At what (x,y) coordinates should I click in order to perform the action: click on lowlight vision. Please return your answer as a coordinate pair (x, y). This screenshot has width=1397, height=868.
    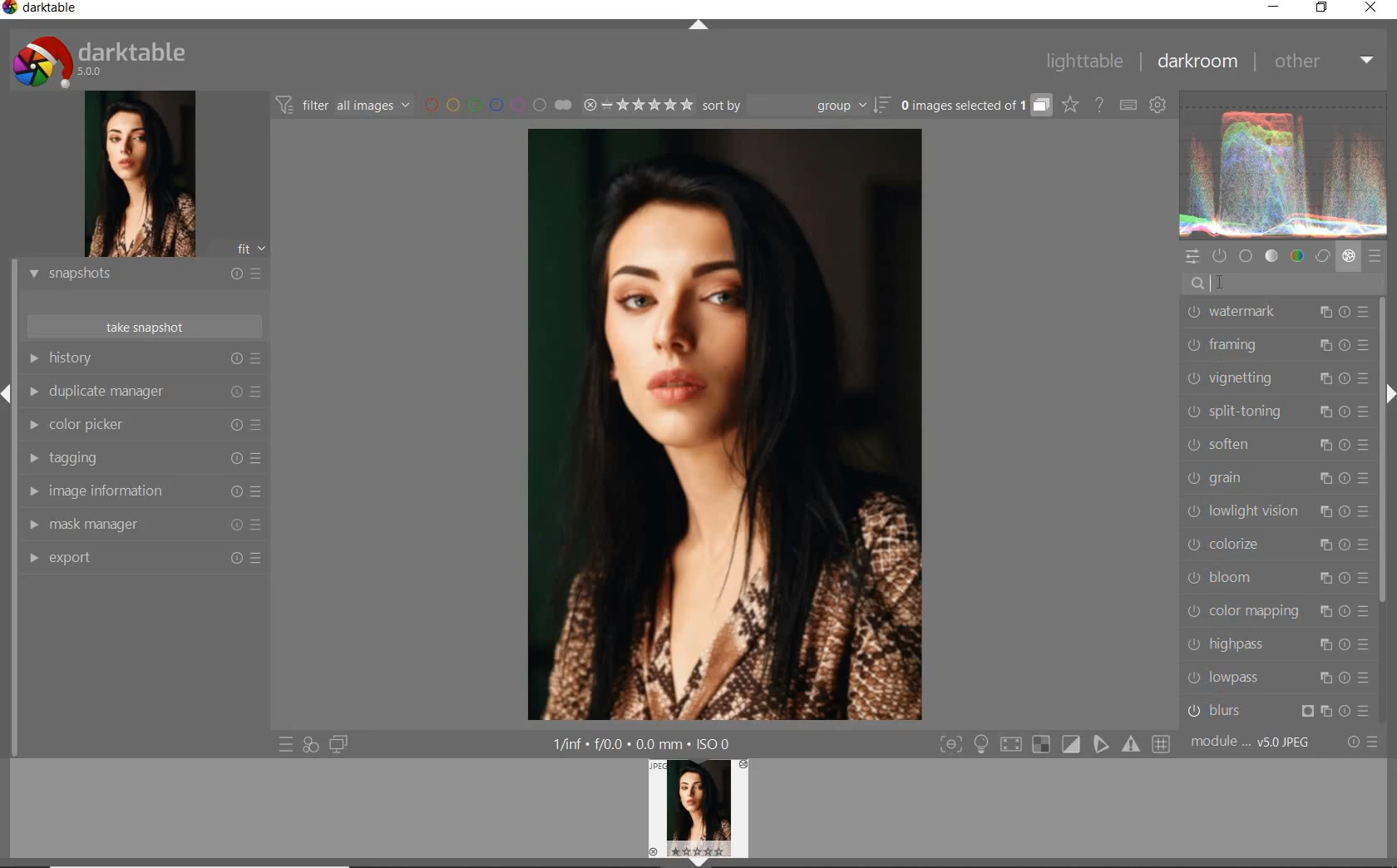
    Looking at the image, I should click on (1275, 510).